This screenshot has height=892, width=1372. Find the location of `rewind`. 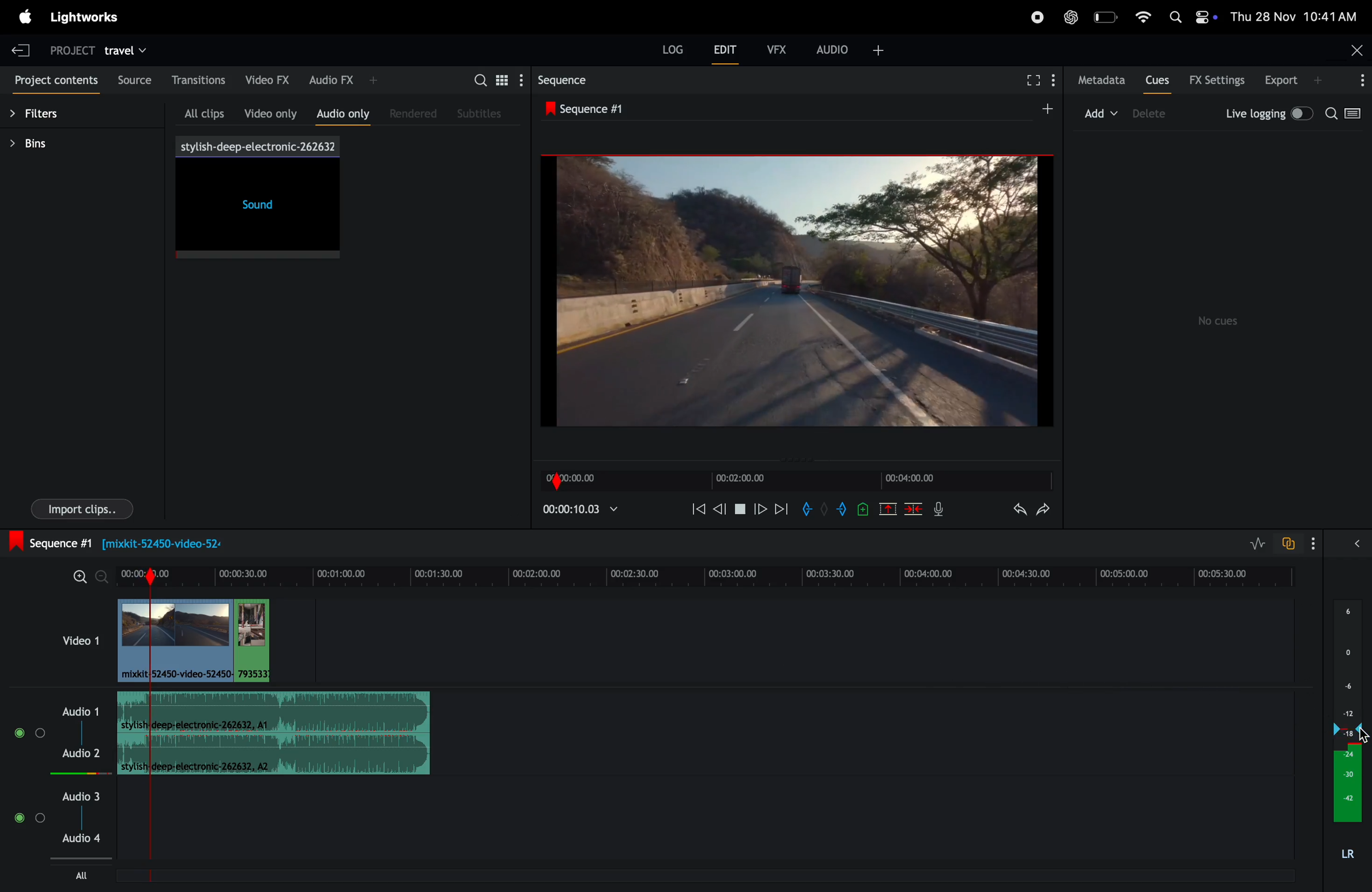

rewind is located at coordinates (696, 508).